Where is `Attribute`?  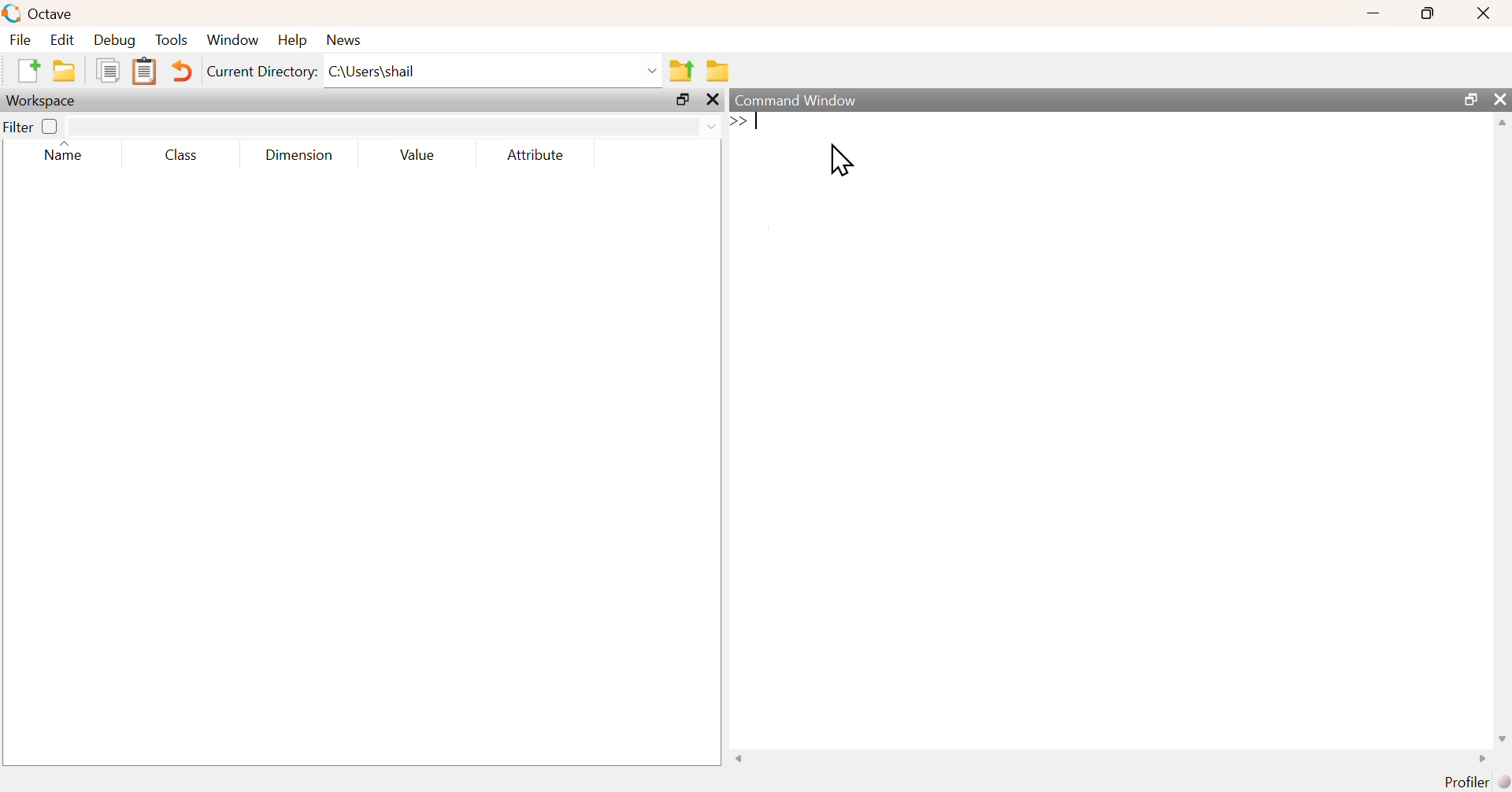 Attribute is located at coordinates (537, 156).